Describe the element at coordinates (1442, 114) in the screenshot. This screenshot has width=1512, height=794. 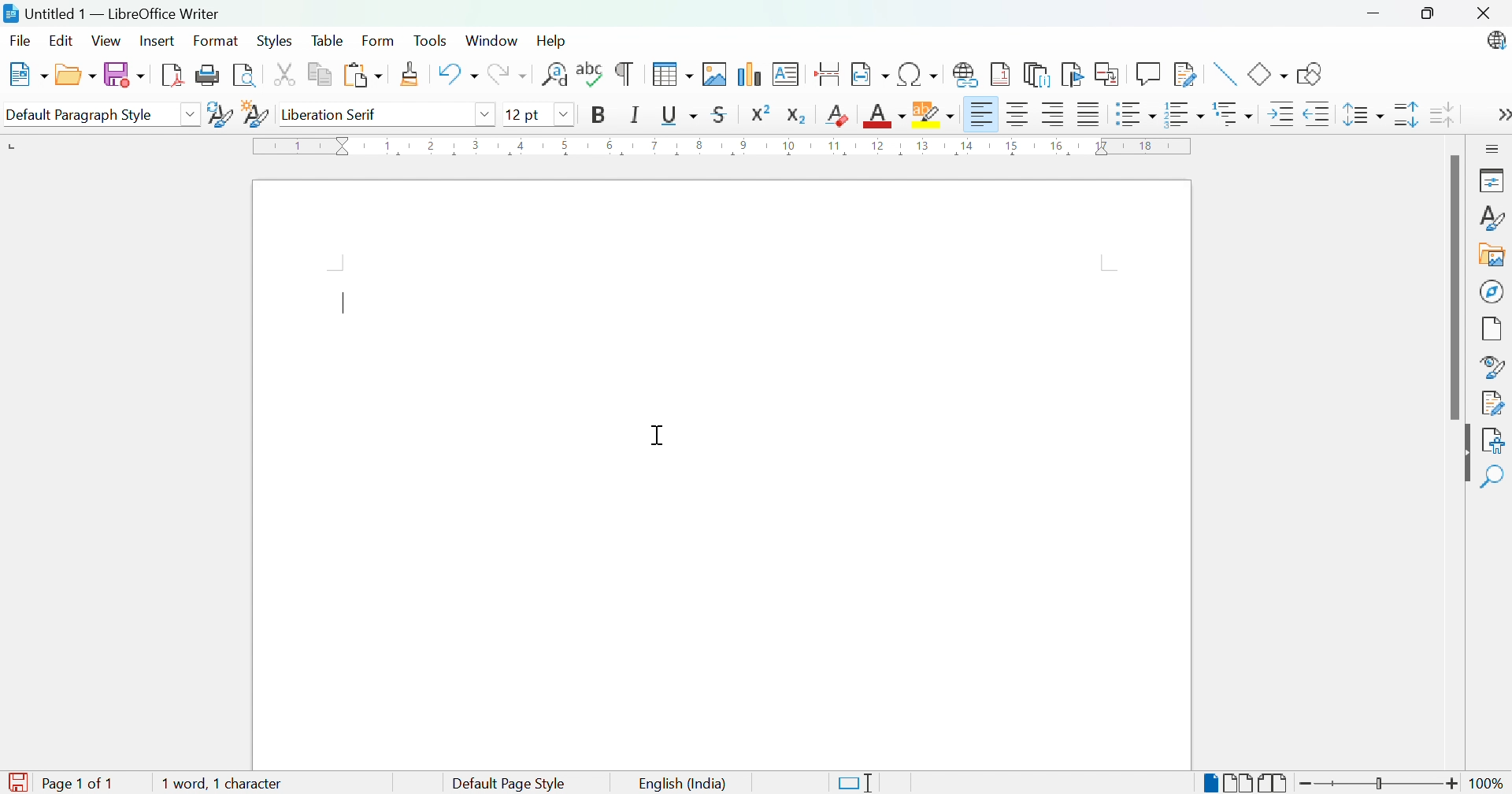
I see `Decrease paragraph spacing` at that location.